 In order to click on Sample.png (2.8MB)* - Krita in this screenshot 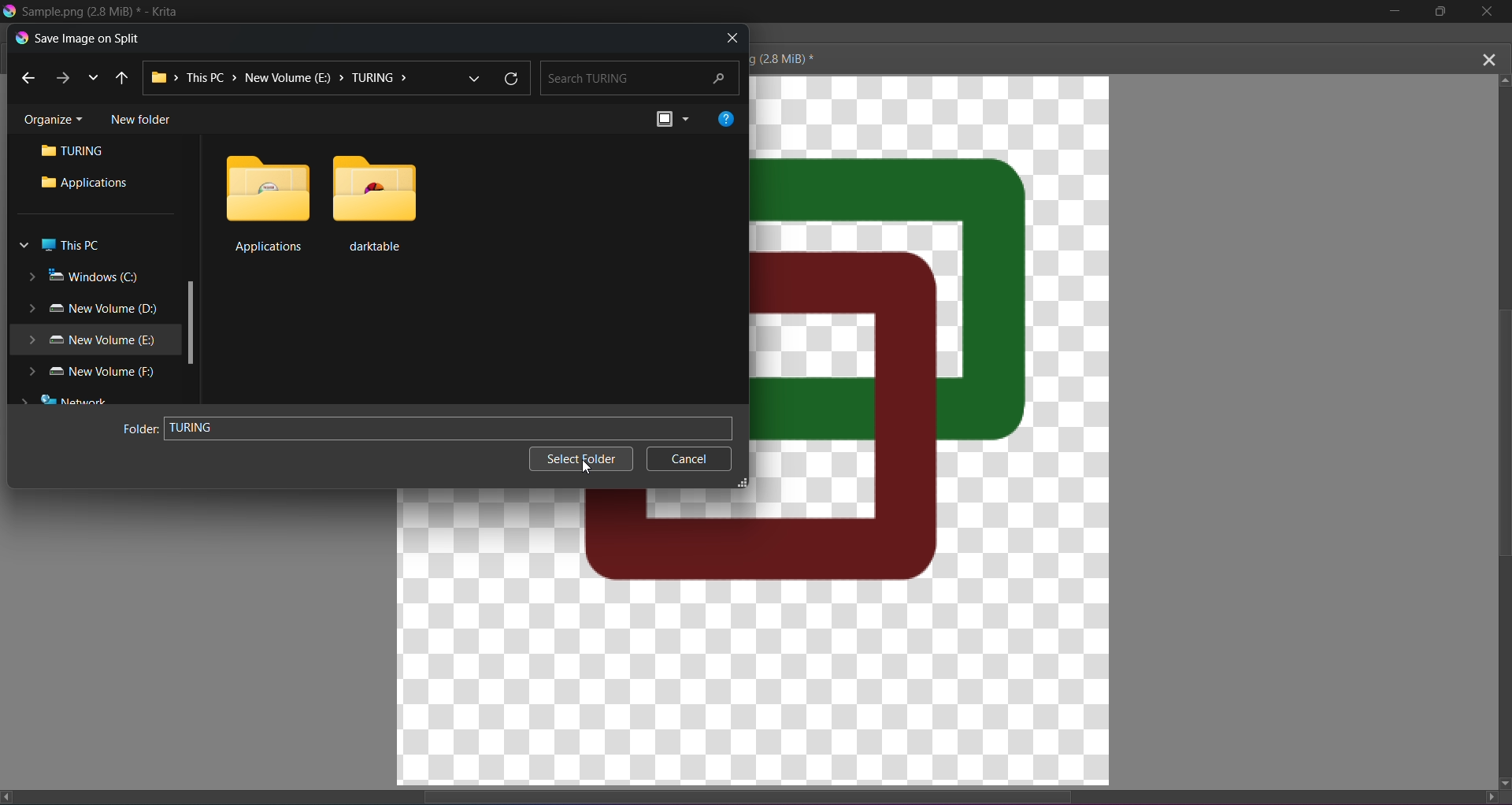, I will do `click(102, 11)`.